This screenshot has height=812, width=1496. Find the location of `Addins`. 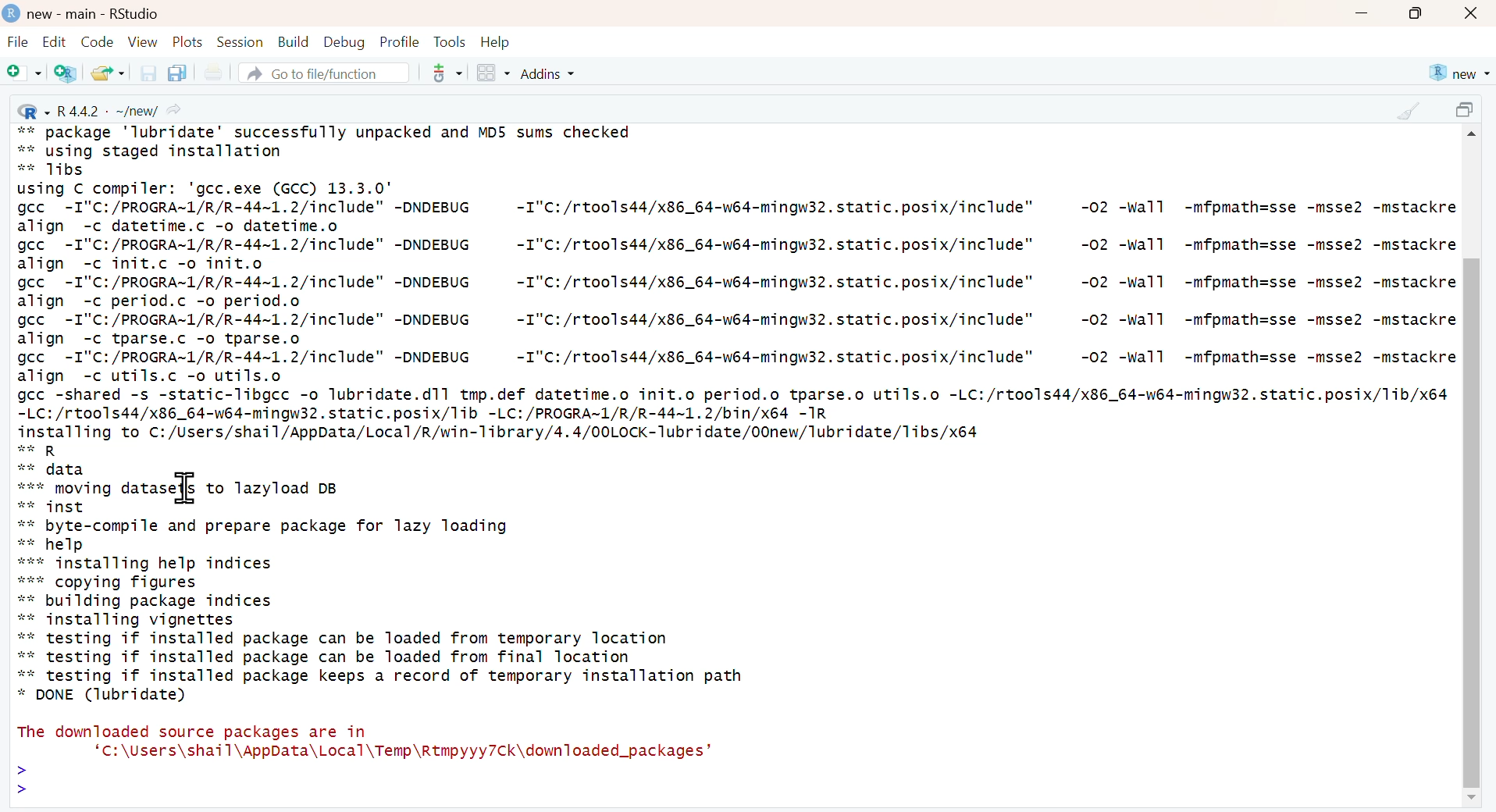

Addins is located at coordinates (550, 73).